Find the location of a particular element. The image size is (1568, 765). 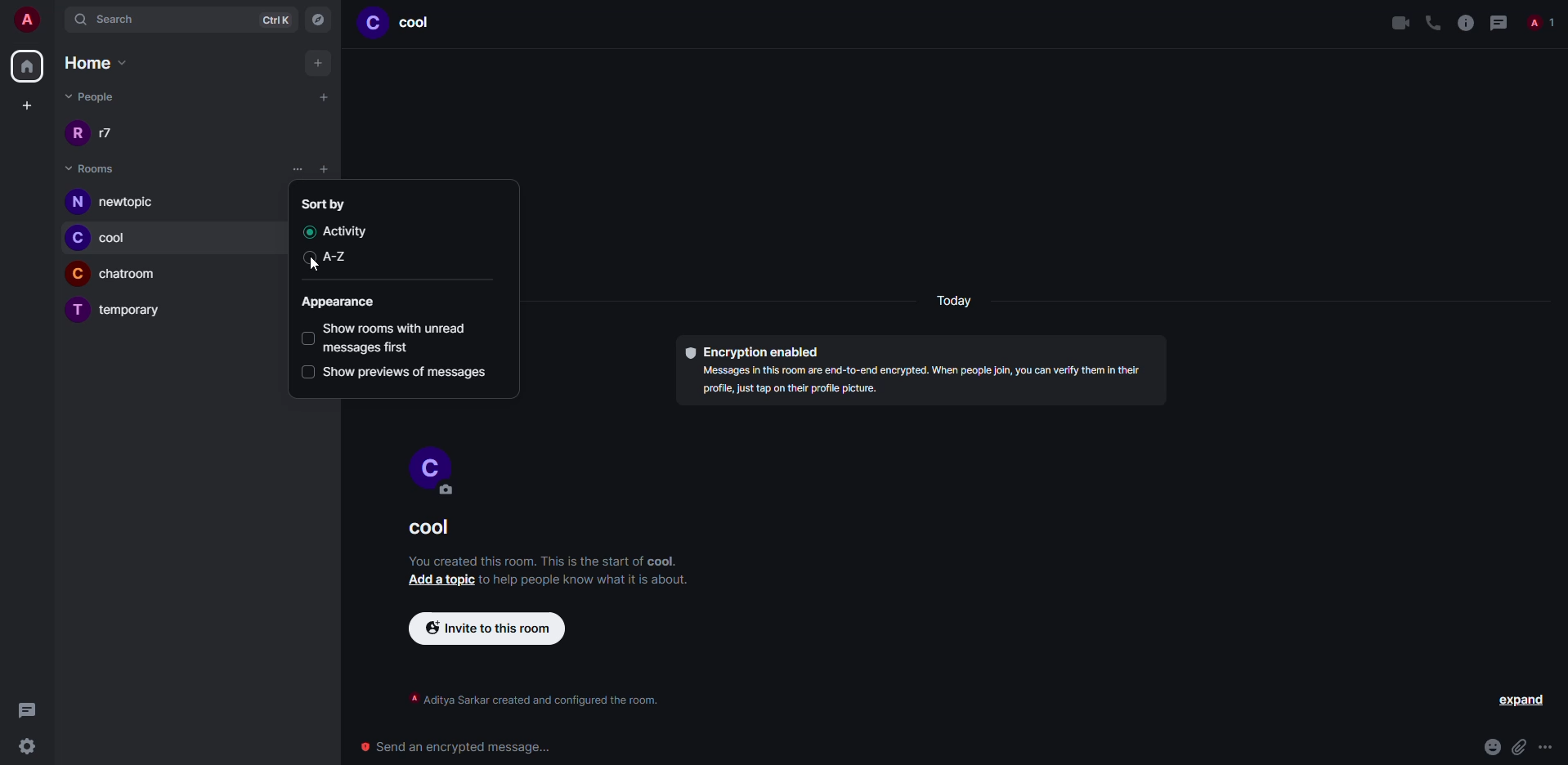

info is located at coordinates (930, 383).